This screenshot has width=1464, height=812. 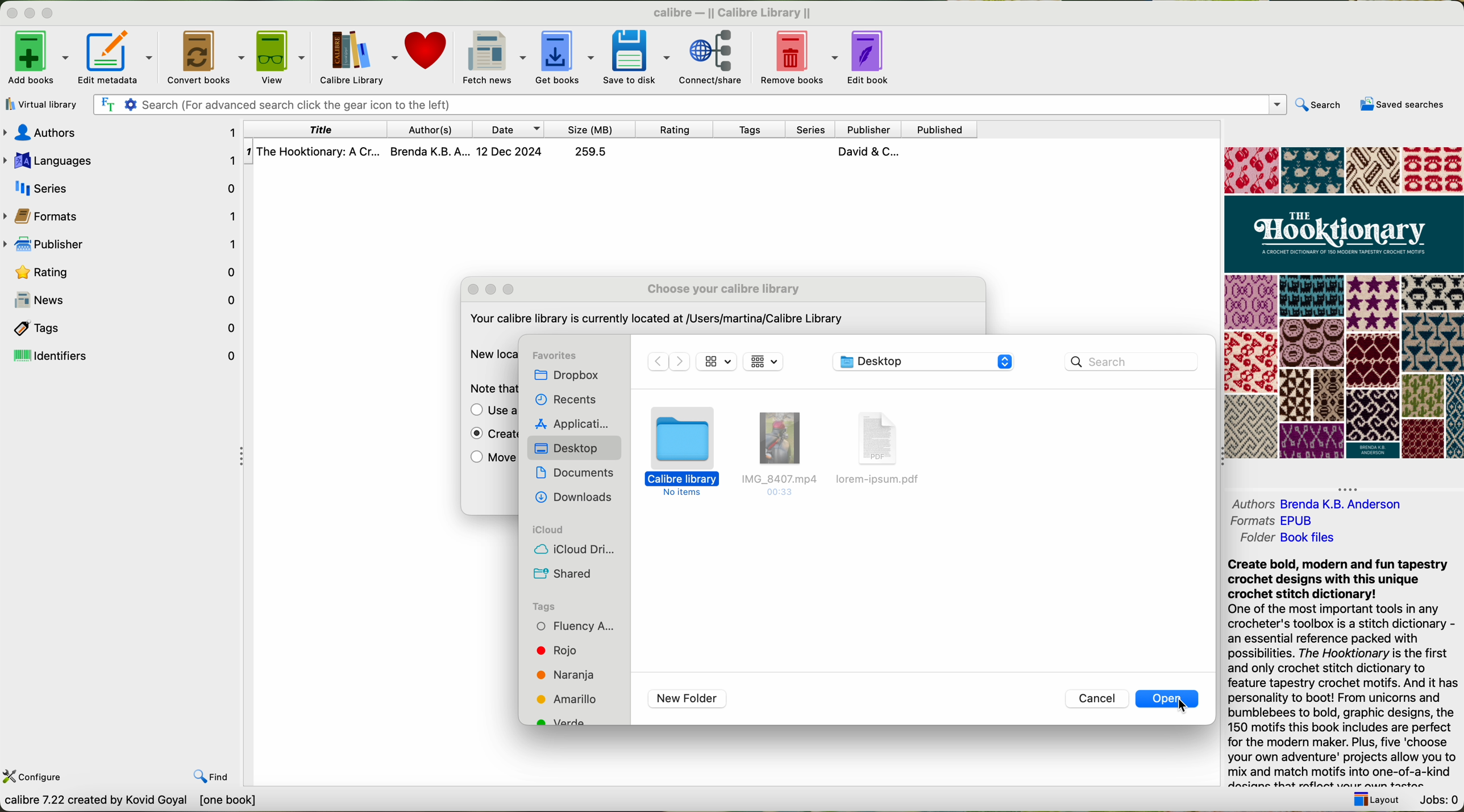 What do you see at coordinates (573, 448) in the screenshot?
I see `desktop` at bounding box center [573, 448].